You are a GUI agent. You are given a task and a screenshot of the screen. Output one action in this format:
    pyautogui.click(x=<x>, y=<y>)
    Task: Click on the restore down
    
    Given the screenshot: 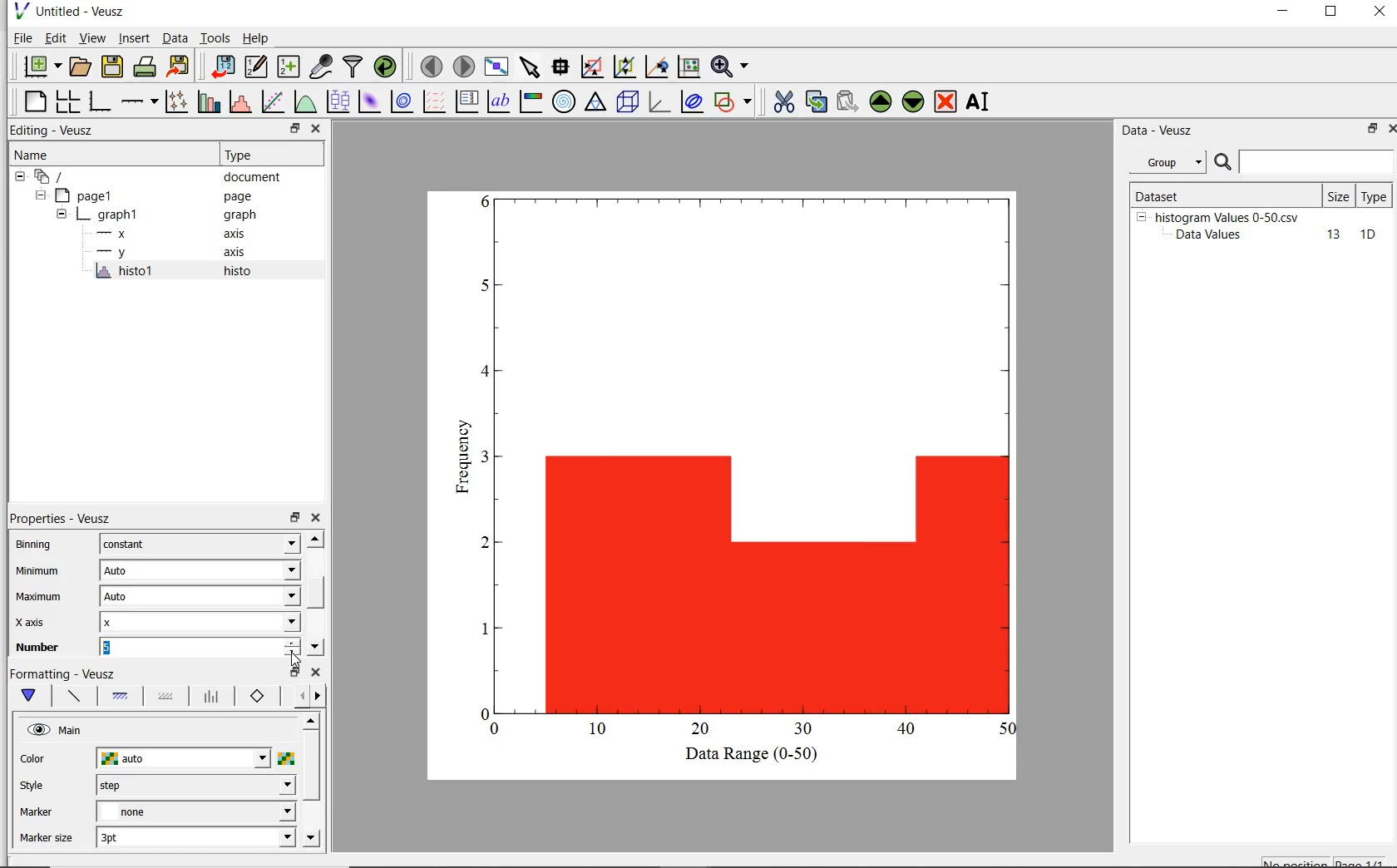 What is the action you would take?
    pyautogui.click(x=294, y=673)
    